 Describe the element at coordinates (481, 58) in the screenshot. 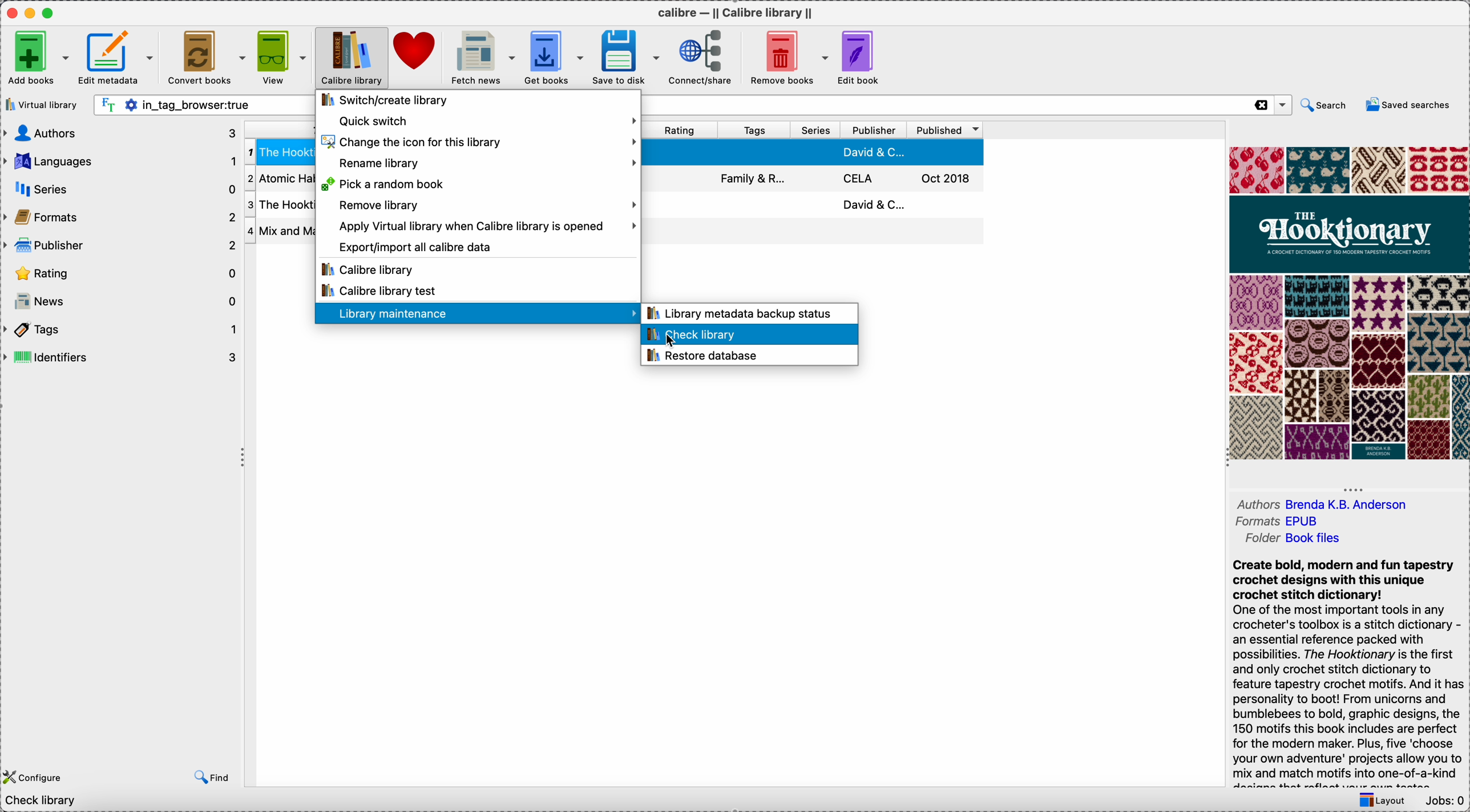

I see `fetch news` at that location.